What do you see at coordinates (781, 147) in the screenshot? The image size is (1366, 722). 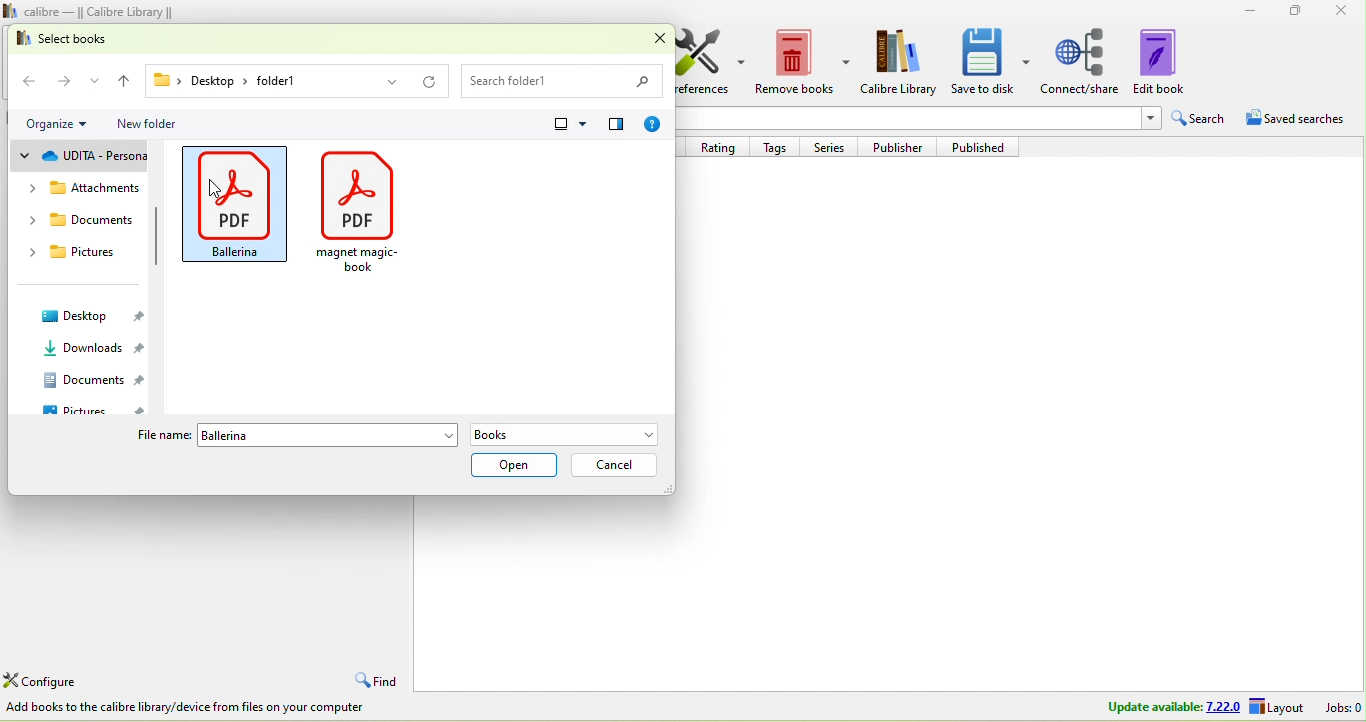 I see `tags` at bounding box center [781, 147].